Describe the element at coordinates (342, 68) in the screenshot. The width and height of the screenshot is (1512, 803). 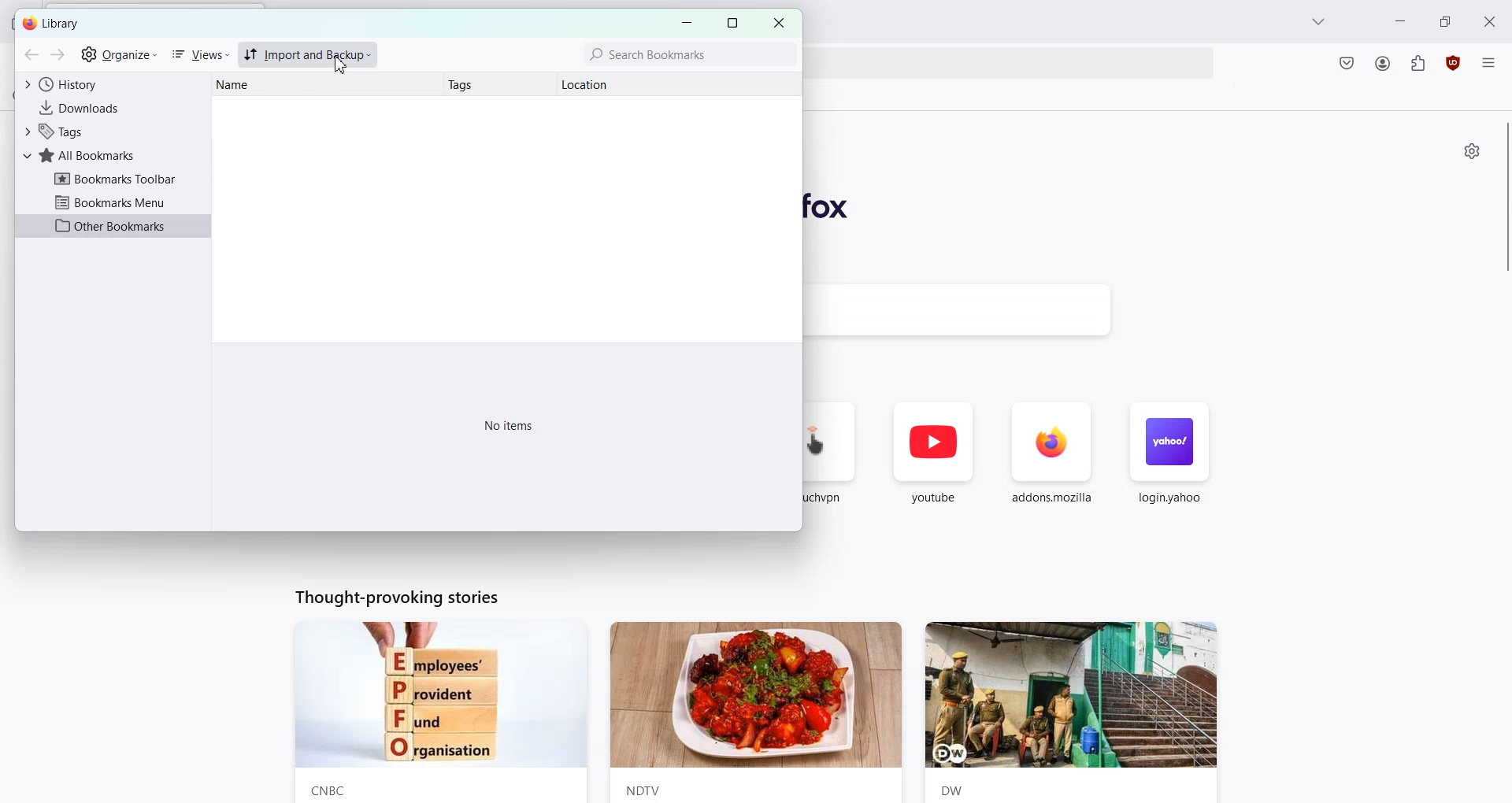
I see `cursor` at that location.